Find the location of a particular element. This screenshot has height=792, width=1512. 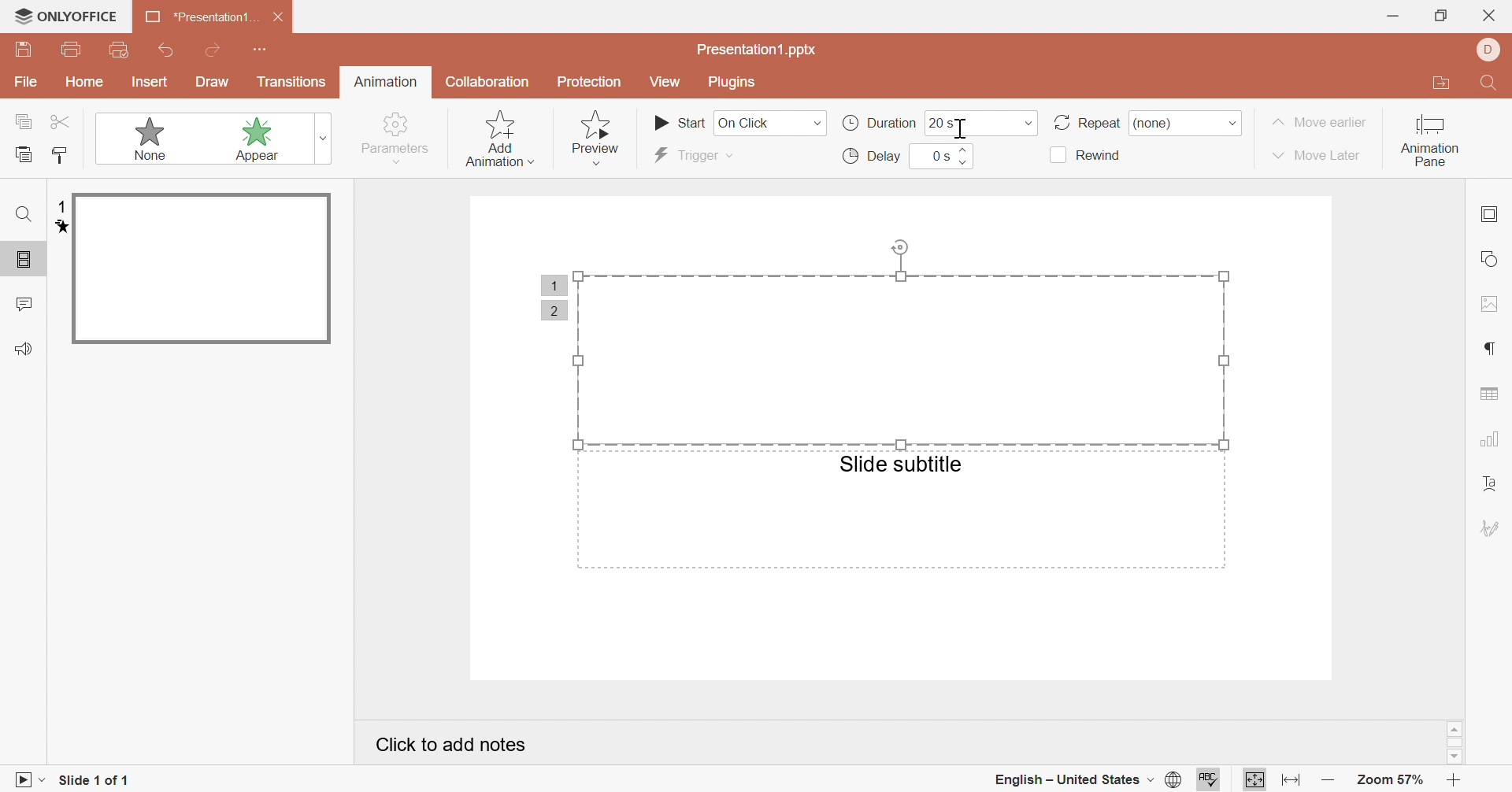

preview is located at coordinates (600, 139).